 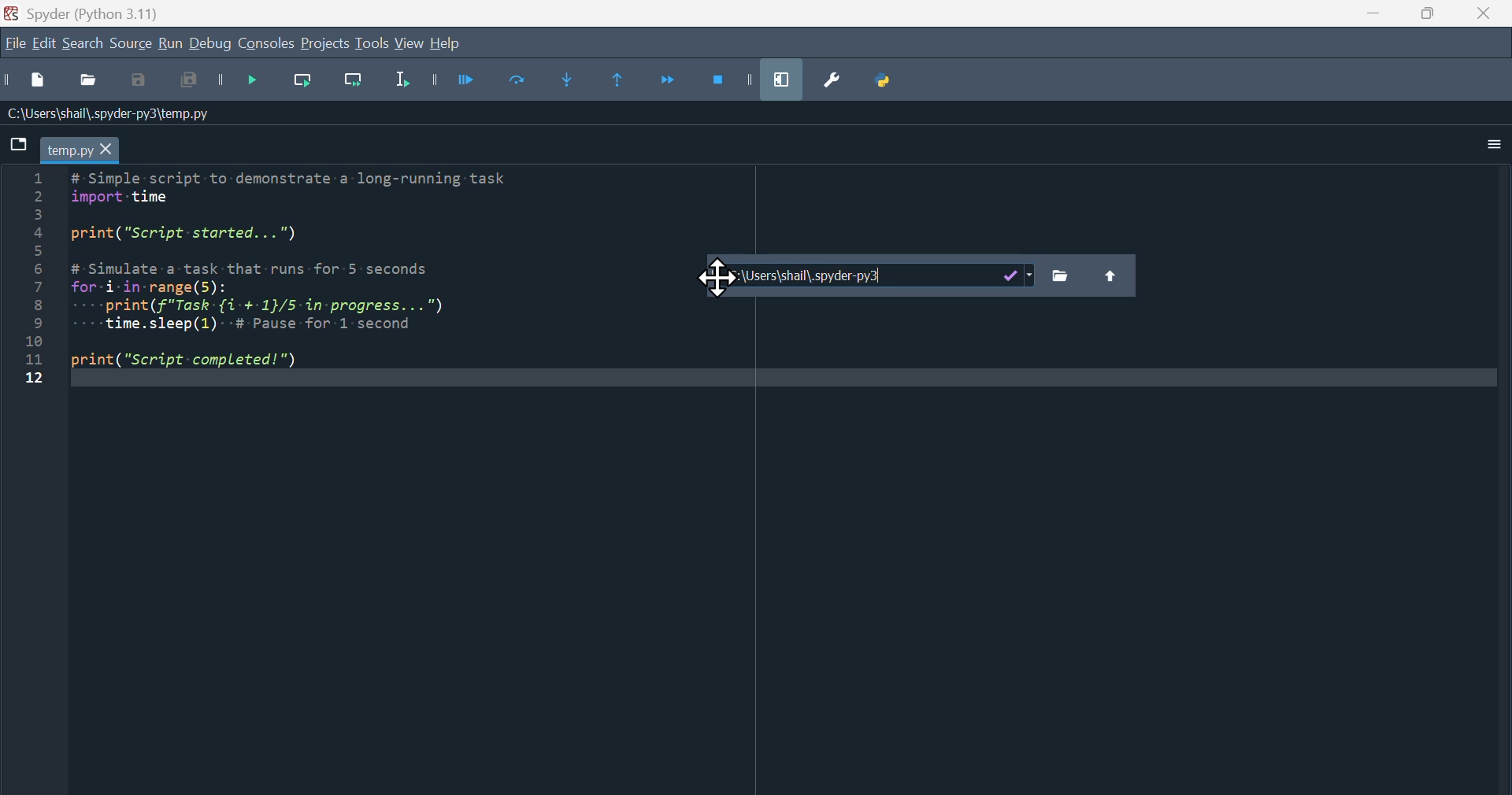 What do you see at coordinates (83, 44) in the screenshot?
I see `search` at bounding box center [83, 44].